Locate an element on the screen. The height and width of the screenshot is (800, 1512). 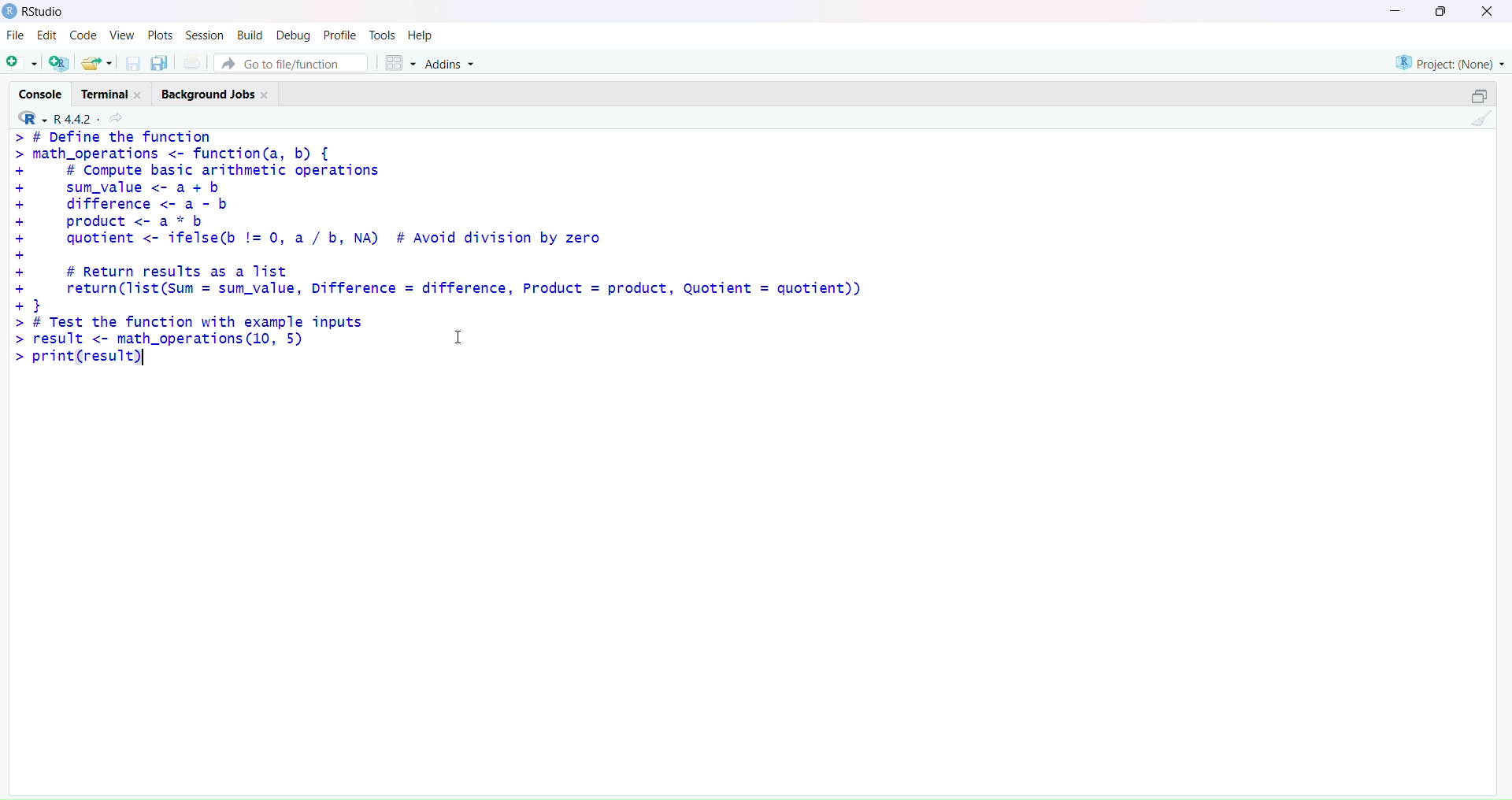
Profile is located at coordinates (339, 33).